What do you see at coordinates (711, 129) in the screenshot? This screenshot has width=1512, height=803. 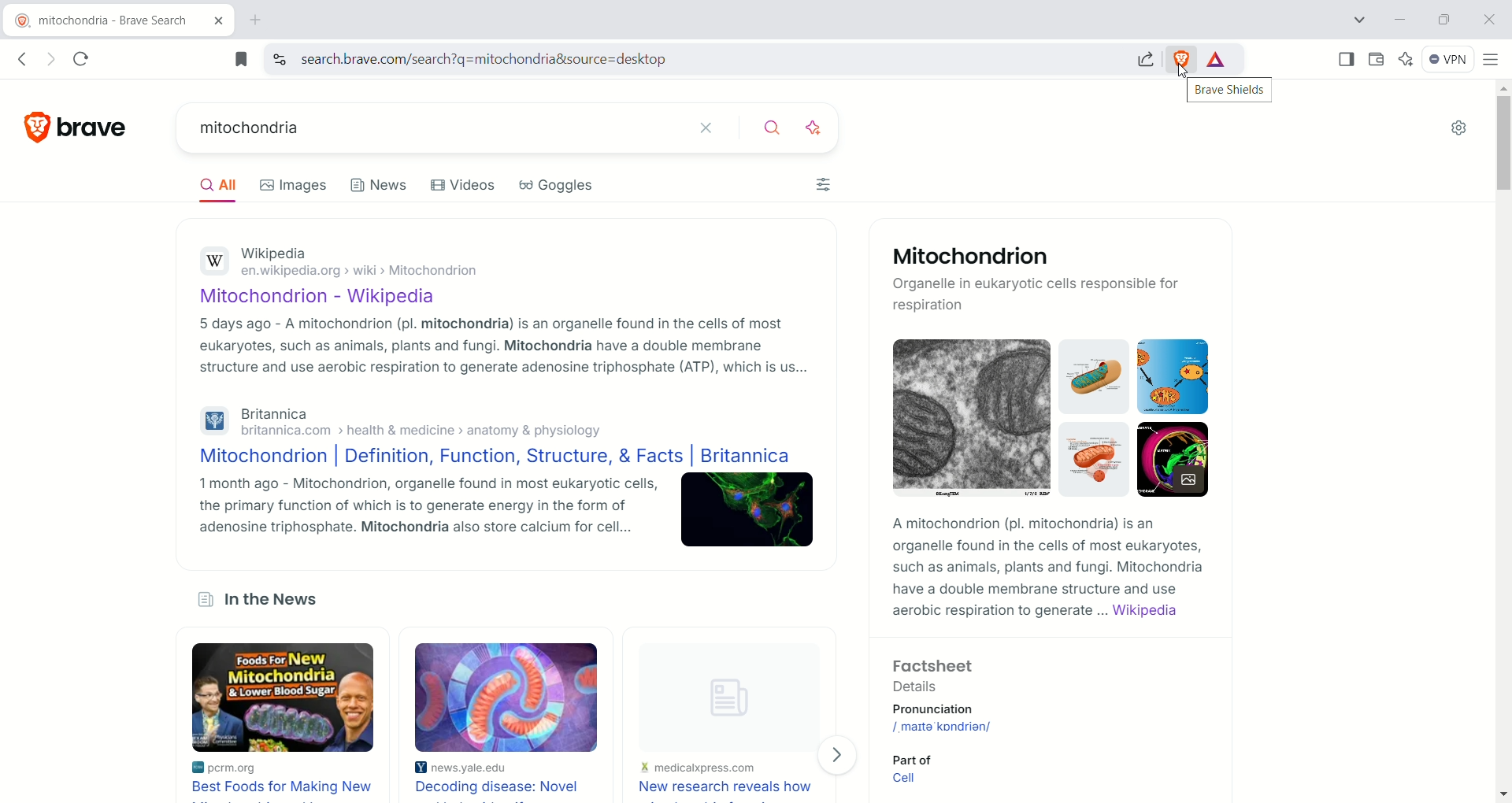 I see `close` at bounding box center [711, 129].